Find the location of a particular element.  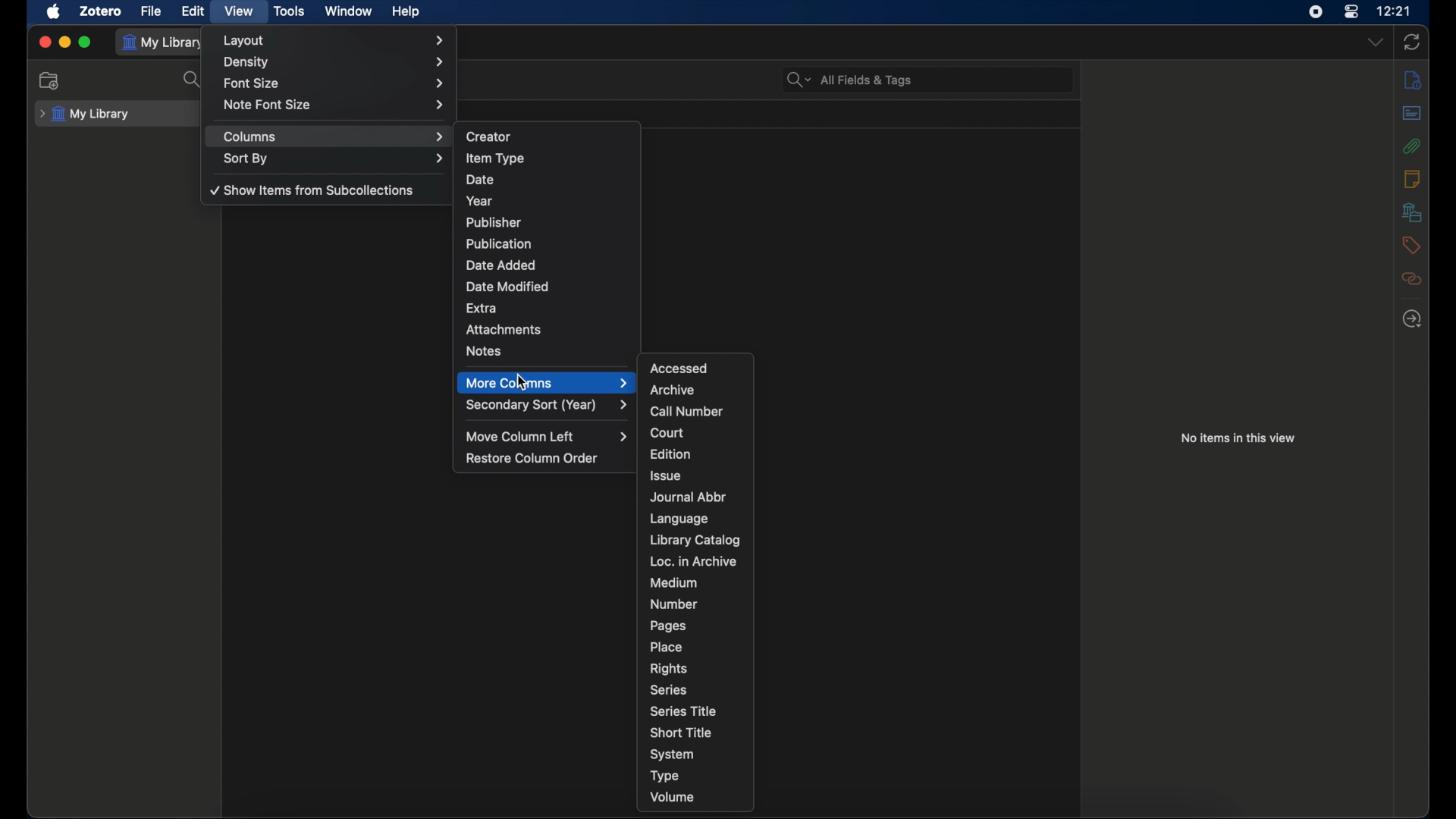

series title is located at coordinates (683, 711).